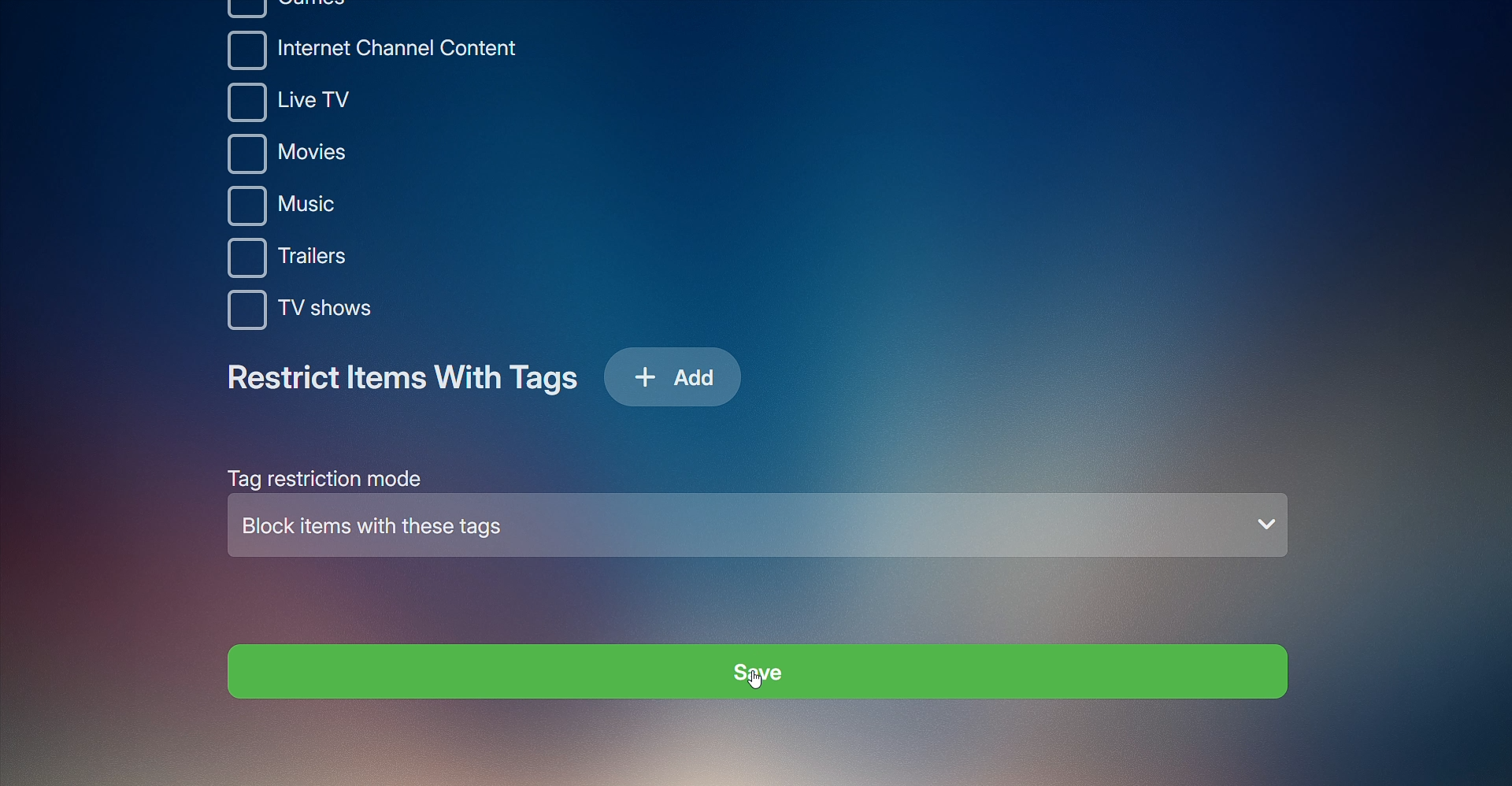 The width and height of the screenshot is (1512, 786). I want to click on Live TV, so click(317, 103).